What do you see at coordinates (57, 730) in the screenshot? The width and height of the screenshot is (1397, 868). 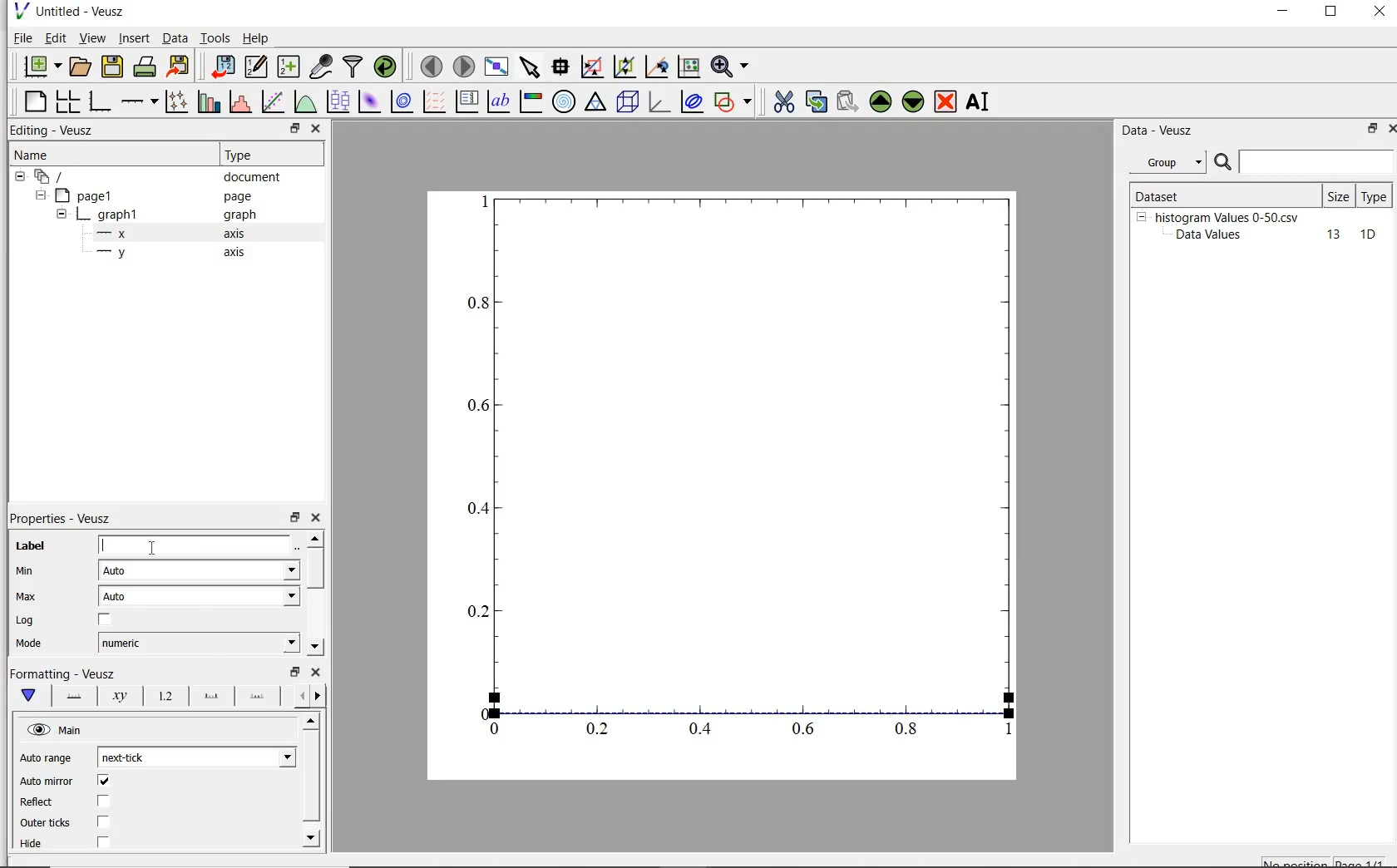 I see `hide` at bounding box center [57, 730].